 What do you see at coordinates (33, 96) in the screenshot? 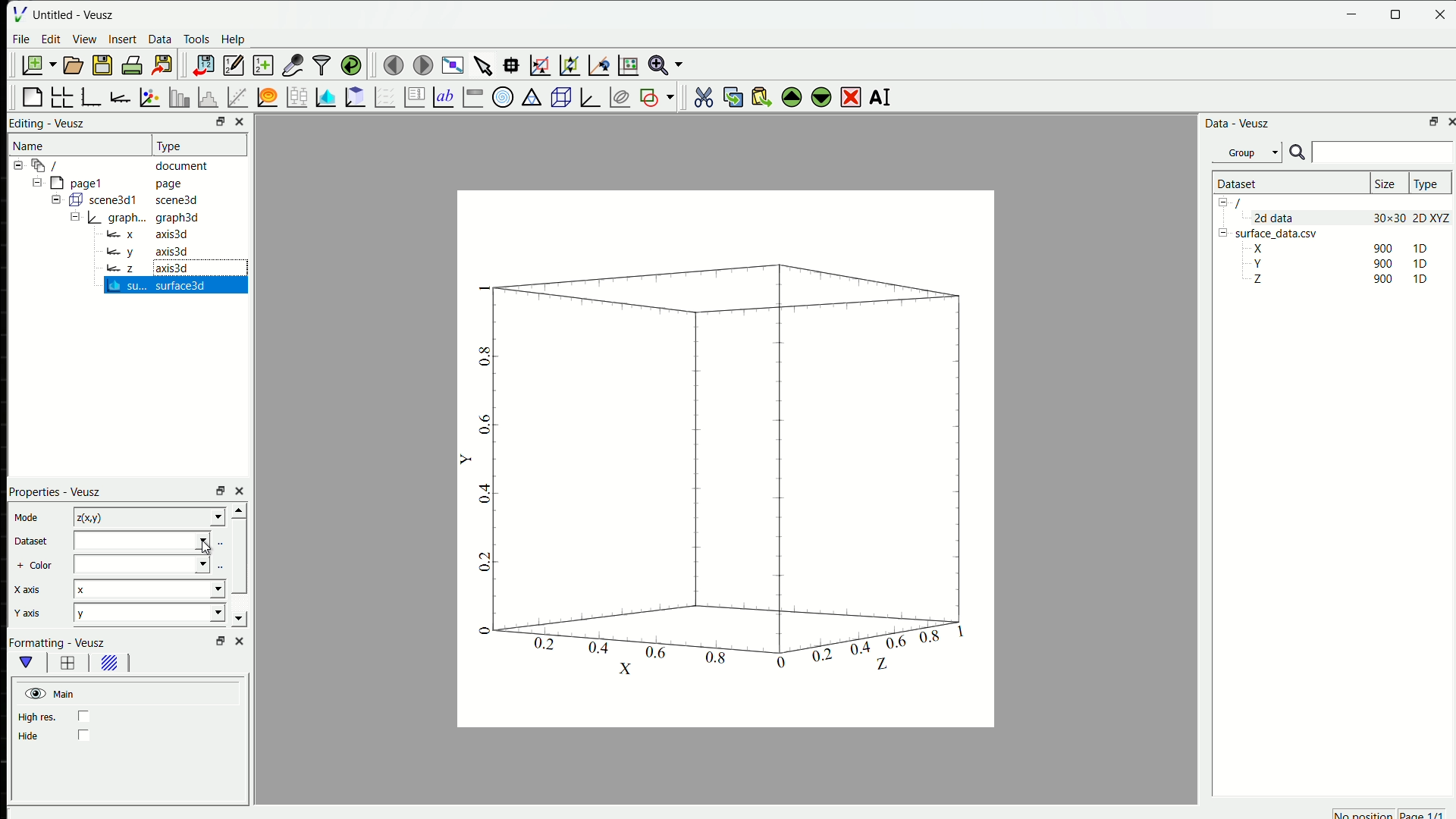
I see `blank page` at bounding box center [33, 96].